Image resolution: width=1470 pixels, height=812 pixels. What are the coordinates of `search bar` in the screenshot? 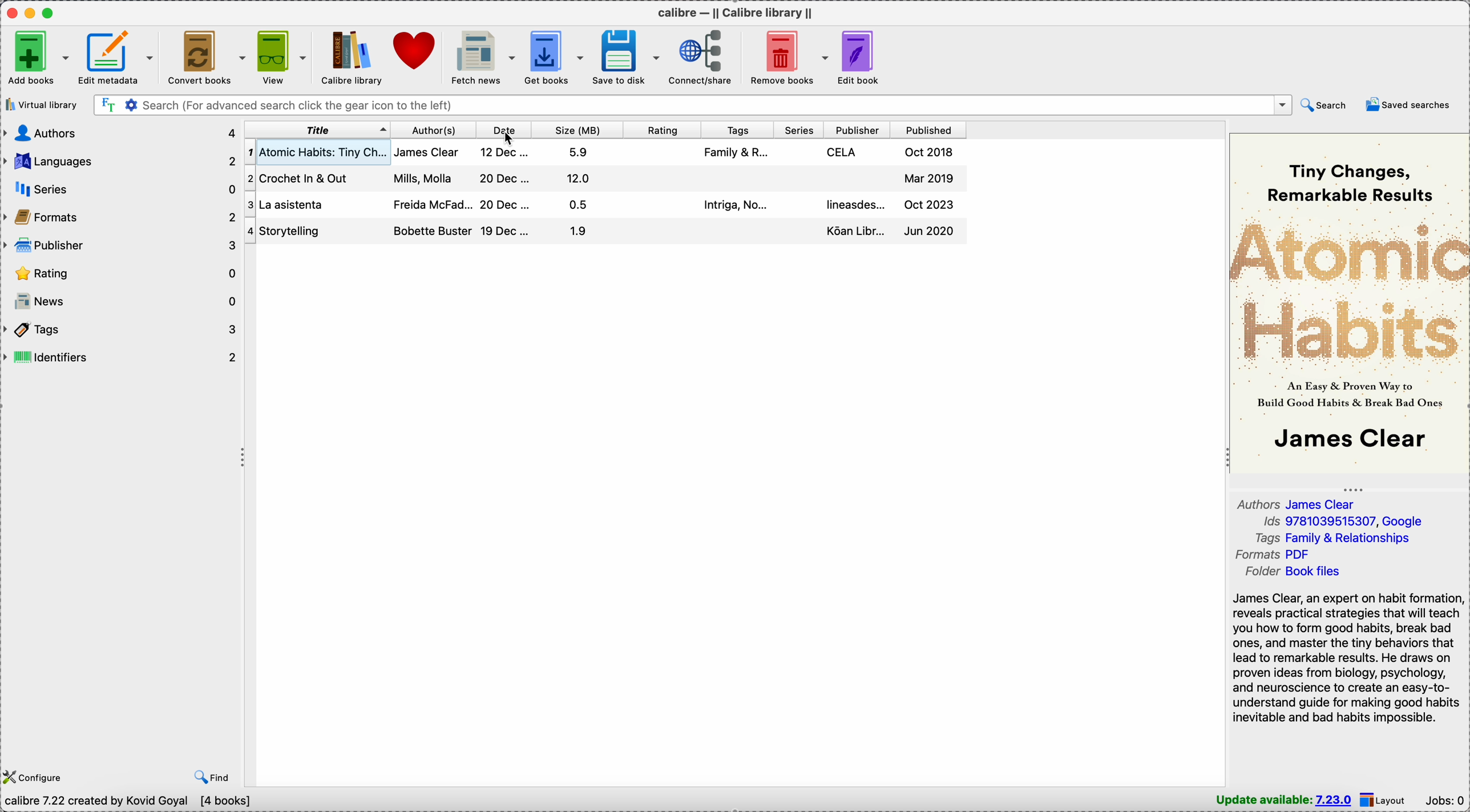 It's located at (692, 104).